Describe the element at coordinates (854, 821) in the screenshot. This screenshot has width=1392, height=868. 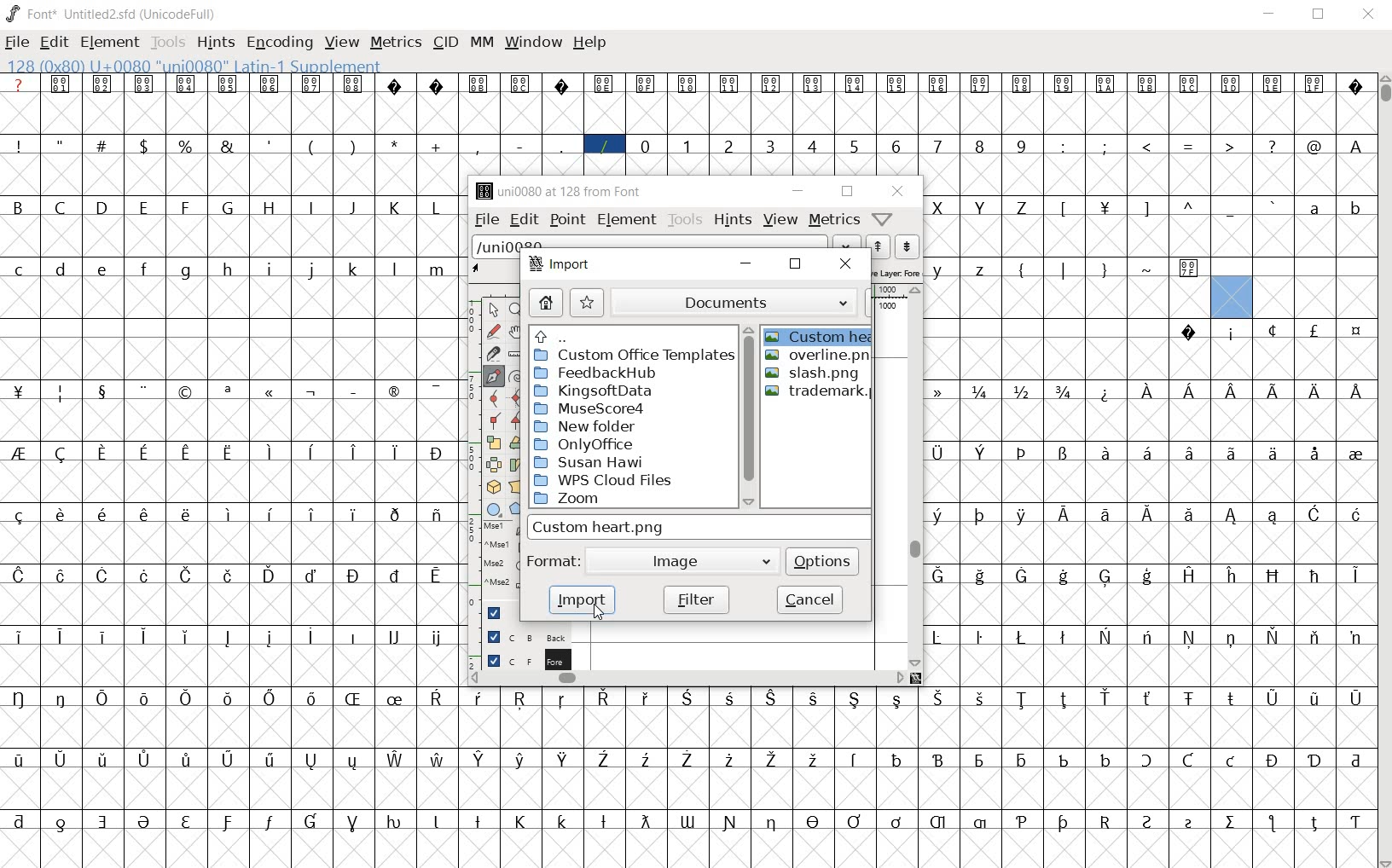
I see `glyph` at that location.